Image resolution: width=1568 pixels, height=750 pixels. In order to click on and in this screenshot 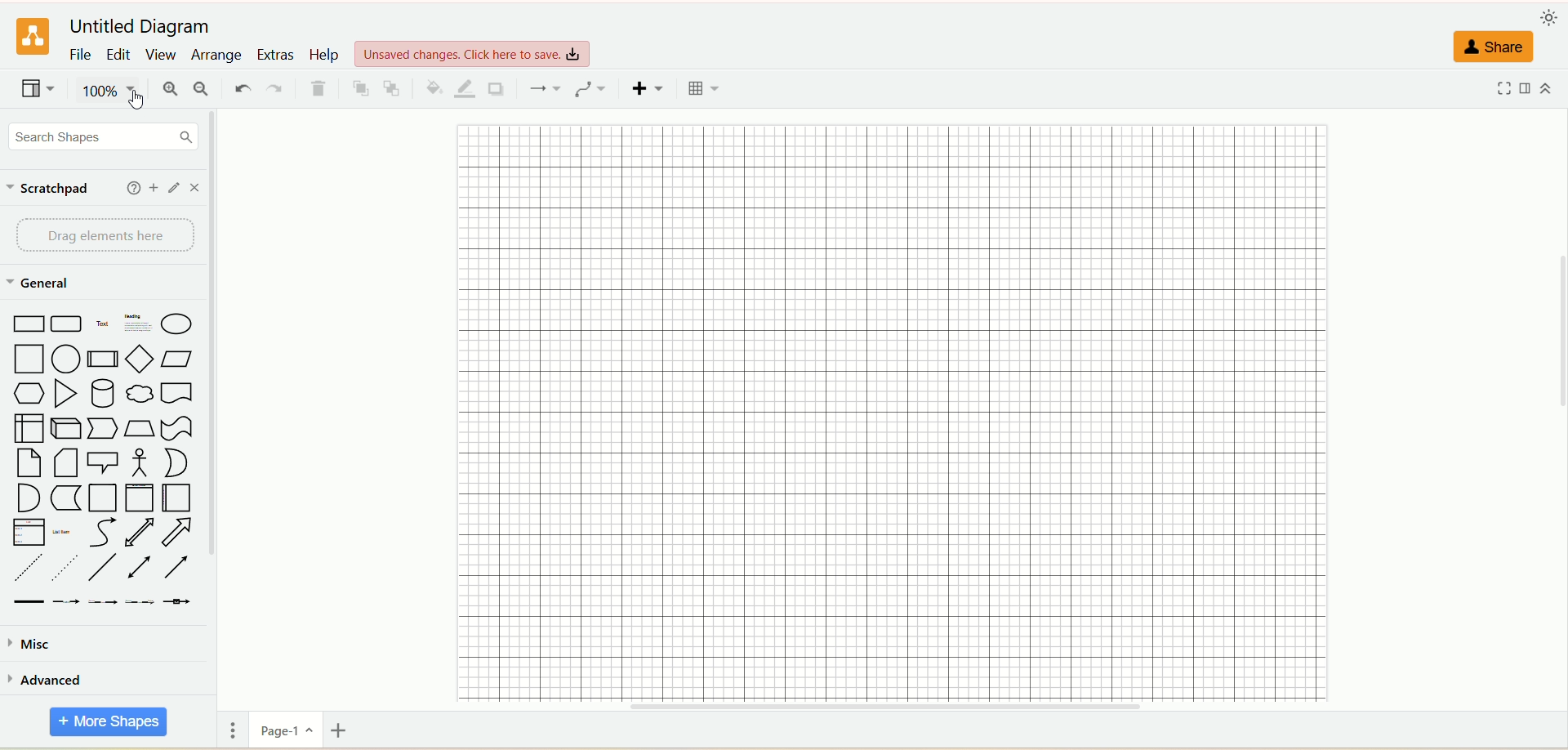, I will do `click(29, 497)`.